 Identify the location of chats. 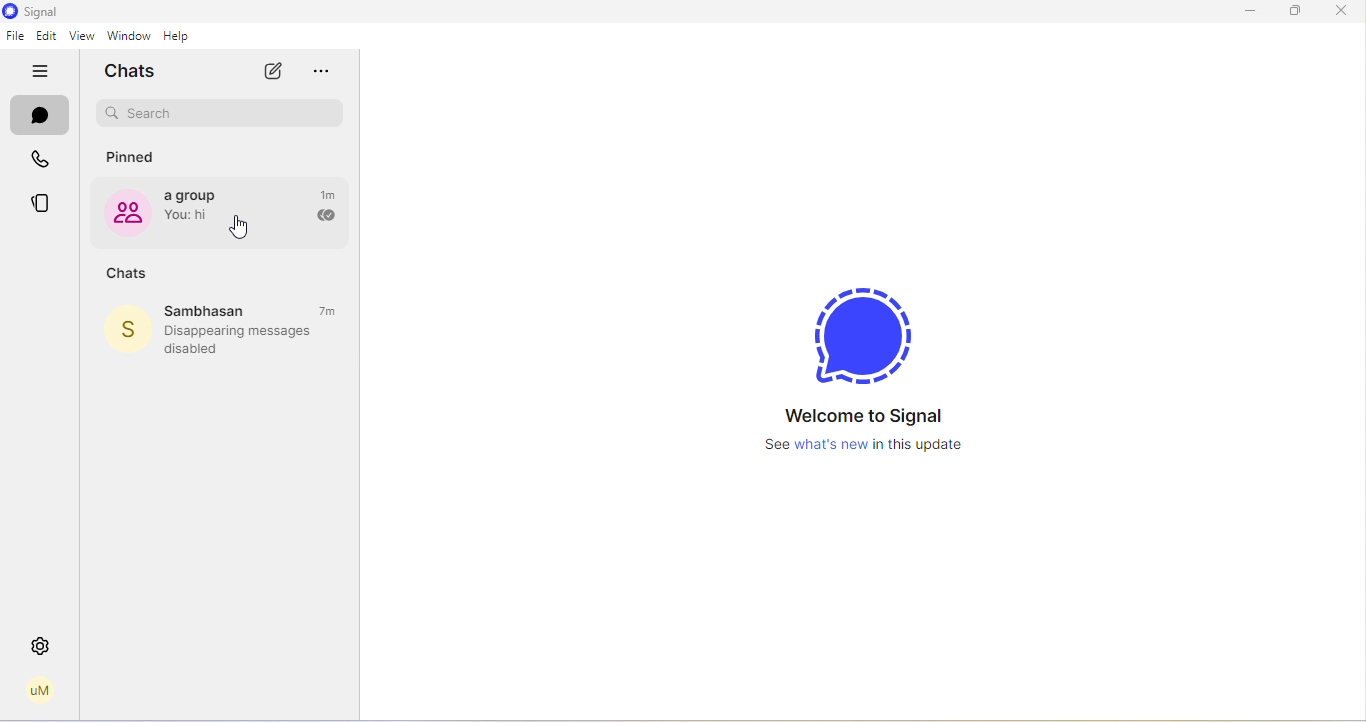
(127, 274).